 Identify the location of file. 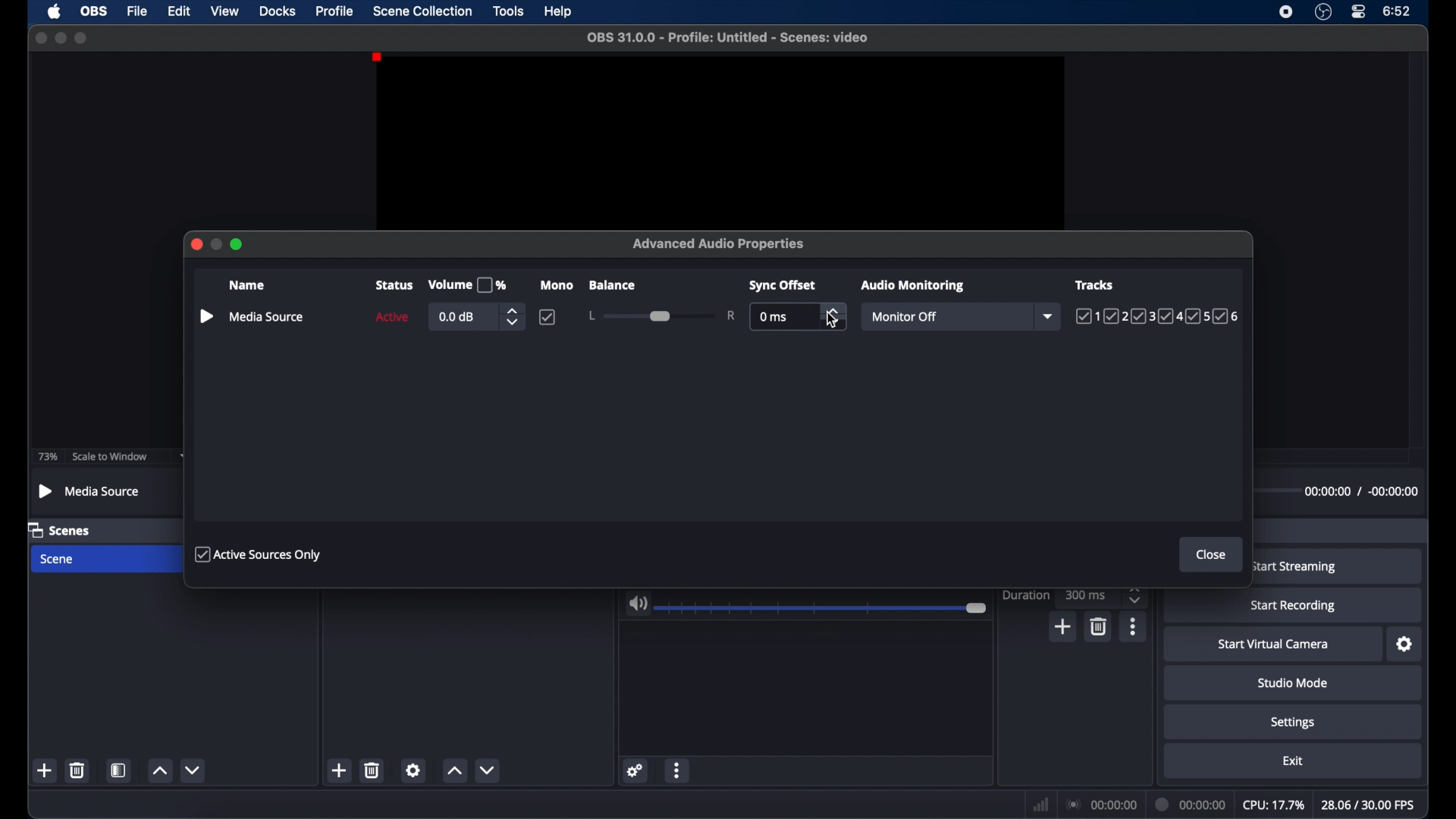
(136, 11).